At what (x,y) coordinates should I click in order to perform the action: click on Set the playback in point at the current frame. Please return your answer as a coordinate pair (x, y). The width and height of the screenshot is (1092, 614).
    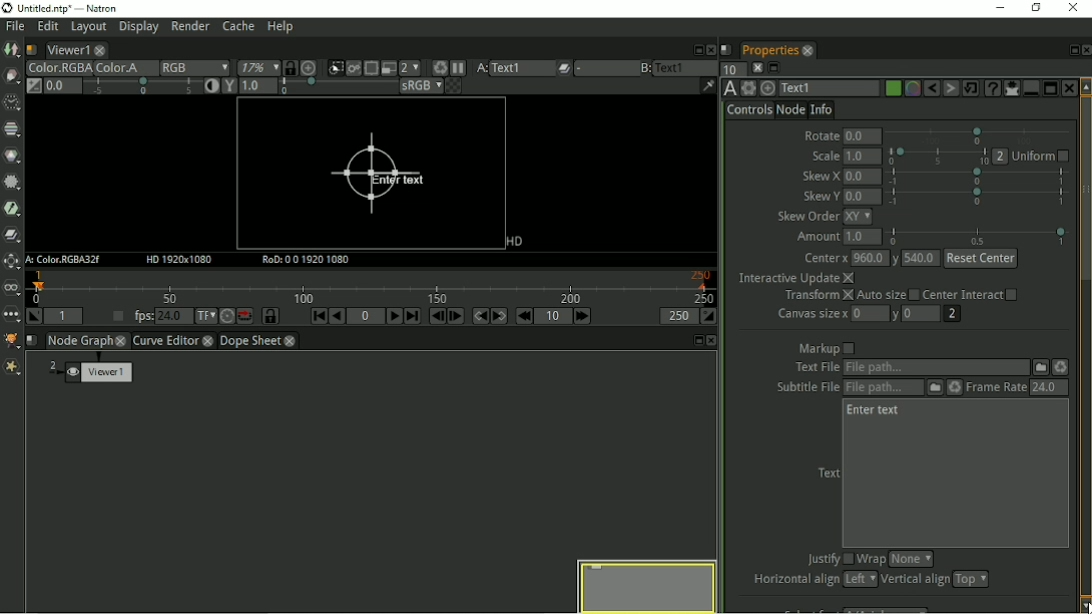
    Looking at the image, I should click on (33, 316).